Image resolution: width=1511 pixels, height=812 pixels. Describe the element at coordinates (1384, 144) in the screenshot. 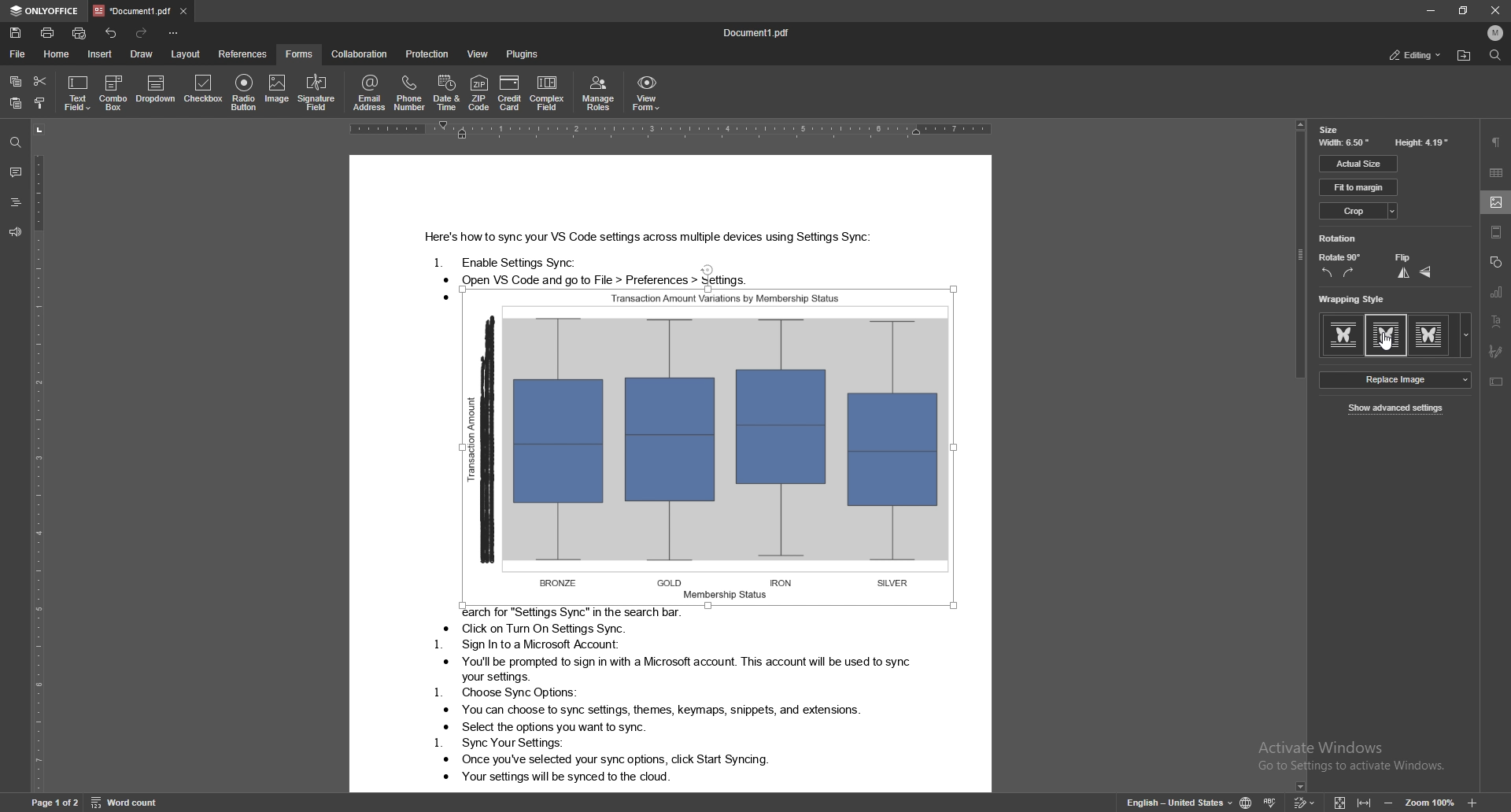

I see `width and height` at that location.